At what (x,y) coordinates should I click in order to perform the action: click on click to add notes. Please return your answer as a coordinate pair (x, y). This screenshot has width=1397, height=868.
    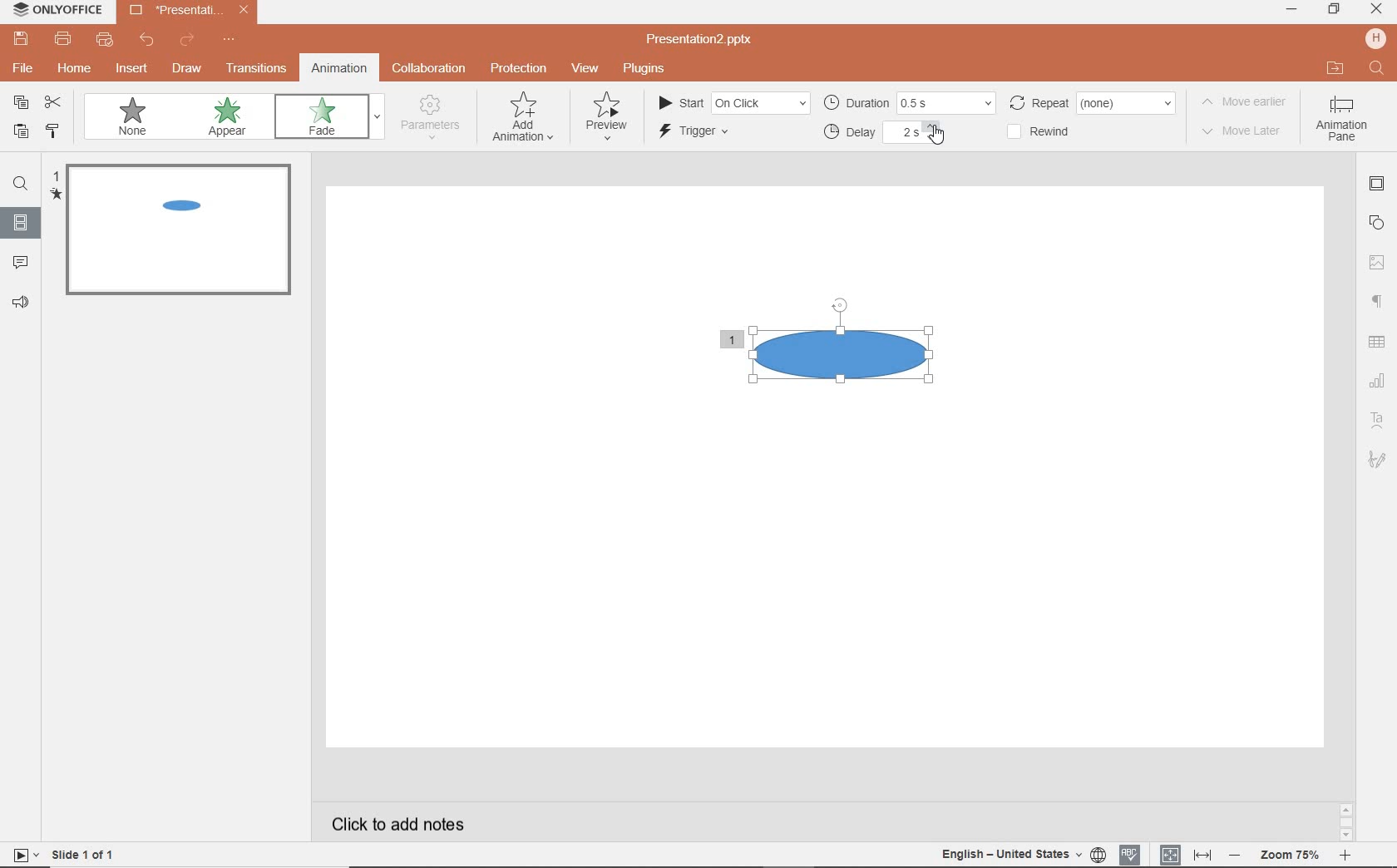
    Looking at the image, I should click on (401, 824).